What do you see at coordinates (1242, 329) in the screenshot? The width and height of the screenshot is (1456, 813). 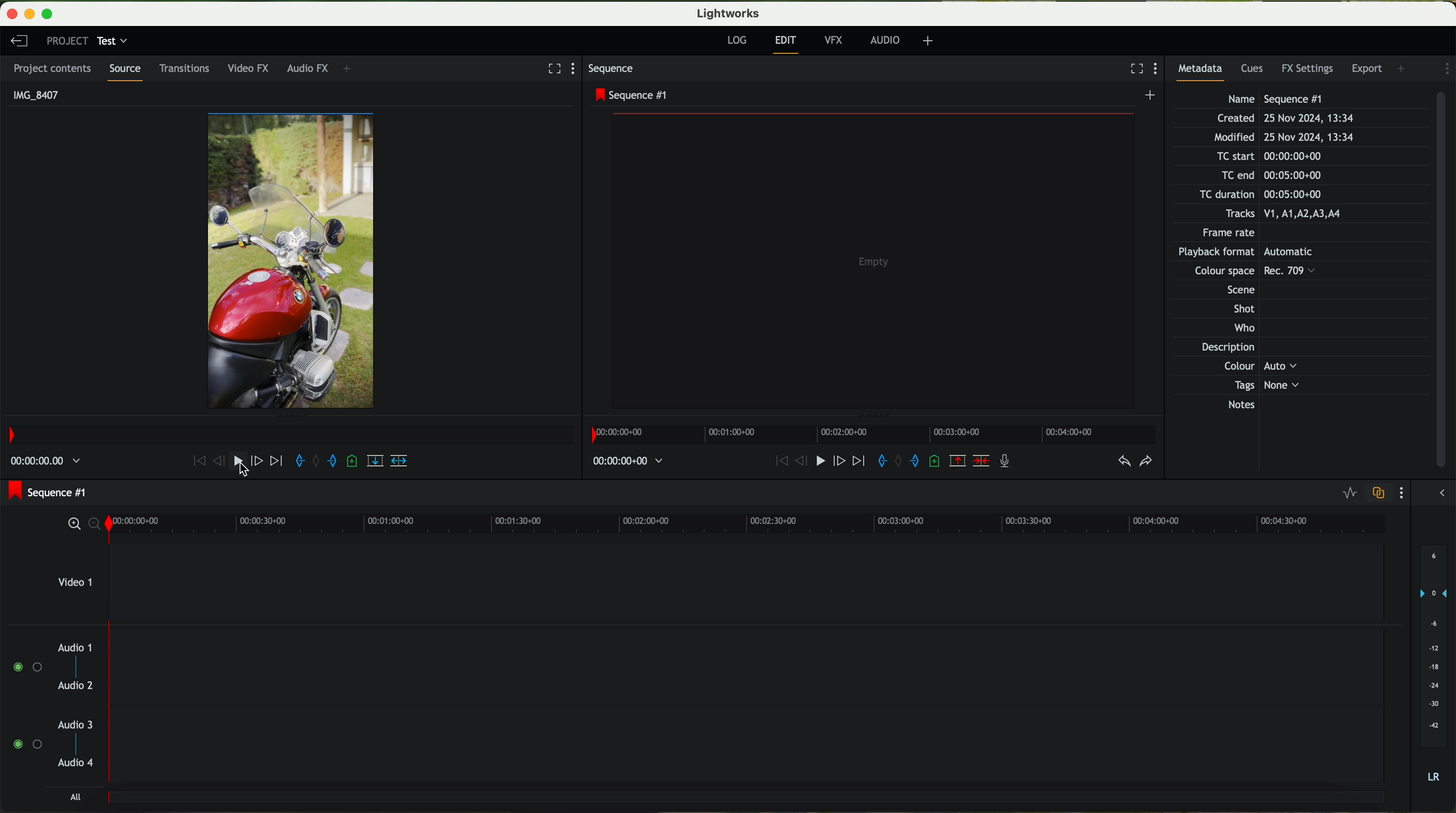 I see `Who` at bounding box center [1242, 329].